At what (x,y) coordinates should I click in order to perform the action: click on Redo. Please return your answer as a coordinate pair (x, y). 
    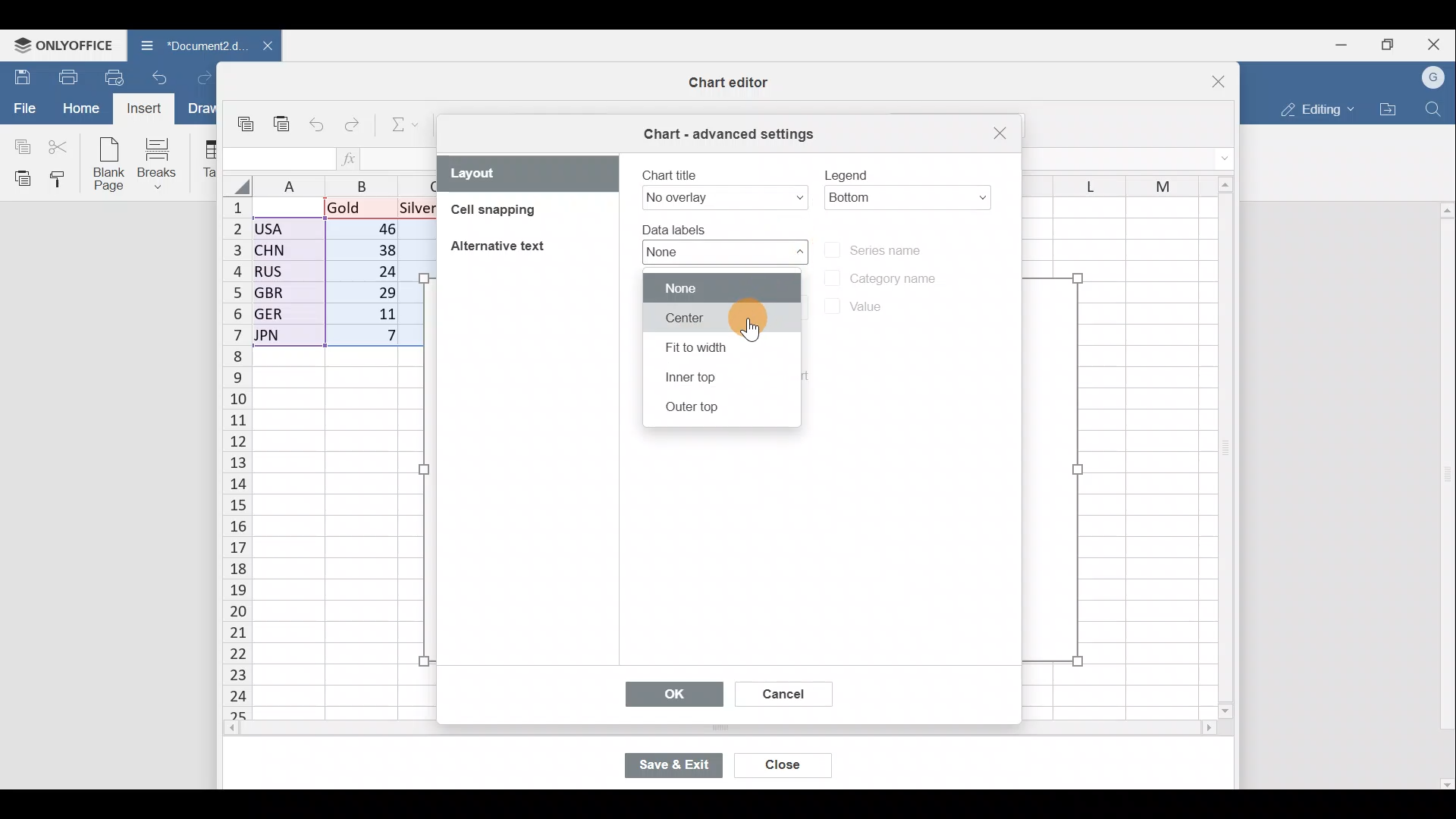
    Looking at the image, I should click on (203, 79).